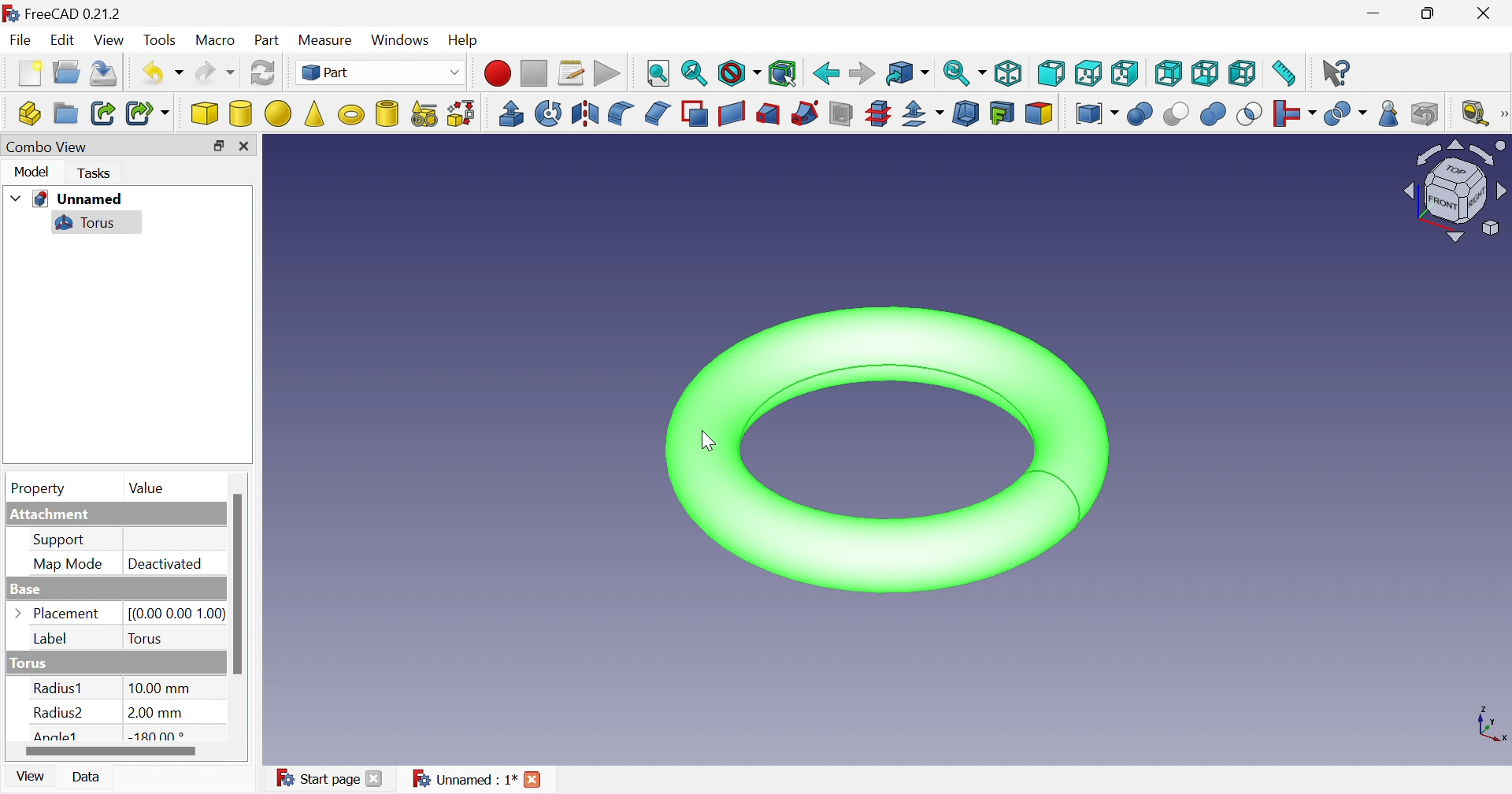 This screenshot has width=1512, height=794. Describe the element at coordinates (705, 443) in the screenshot. I see `cursor` at that location.